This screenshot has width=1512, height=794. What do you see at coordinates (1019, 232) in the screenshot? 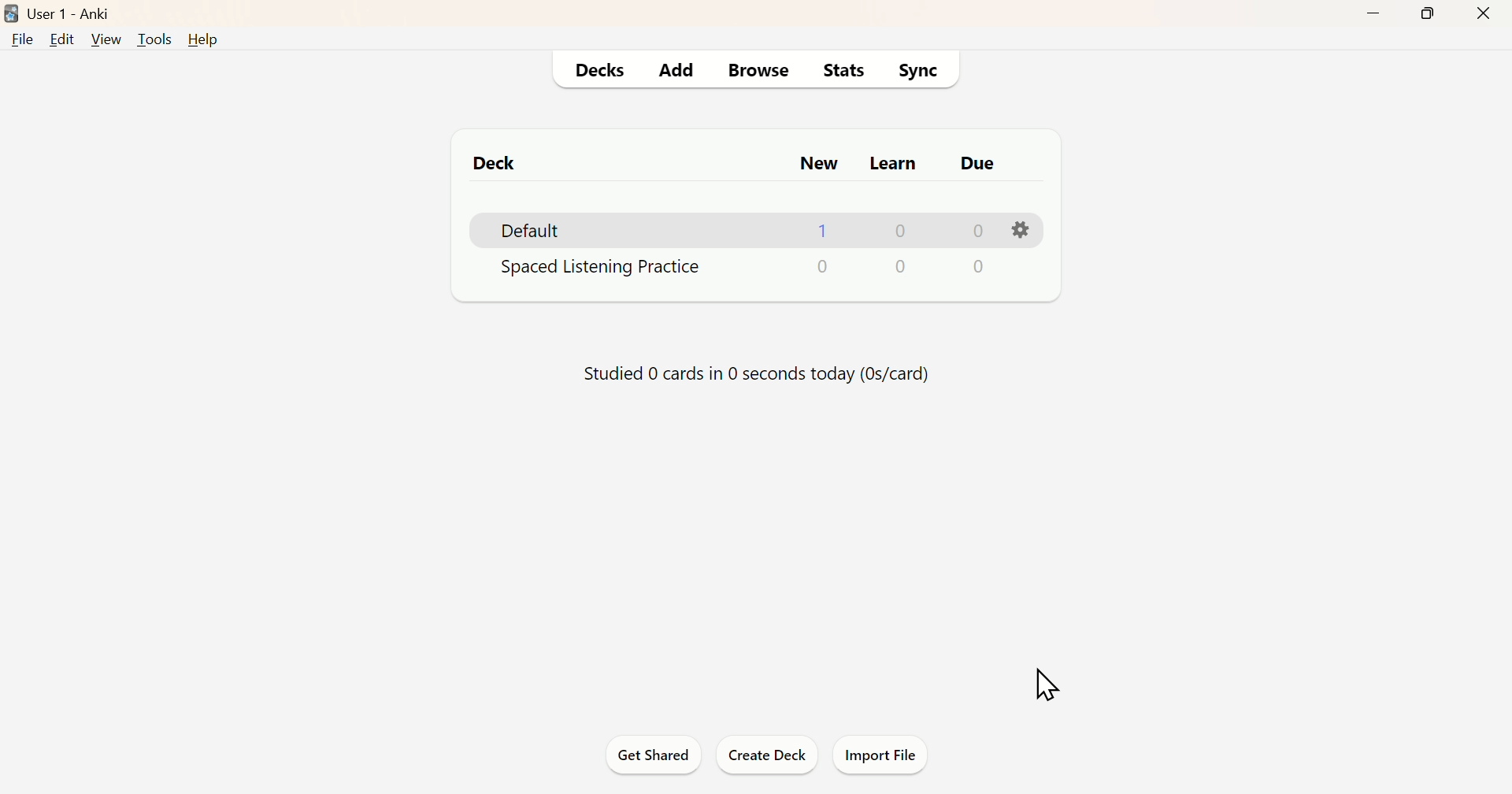
I see `options` at bounding box center [1019, 232].